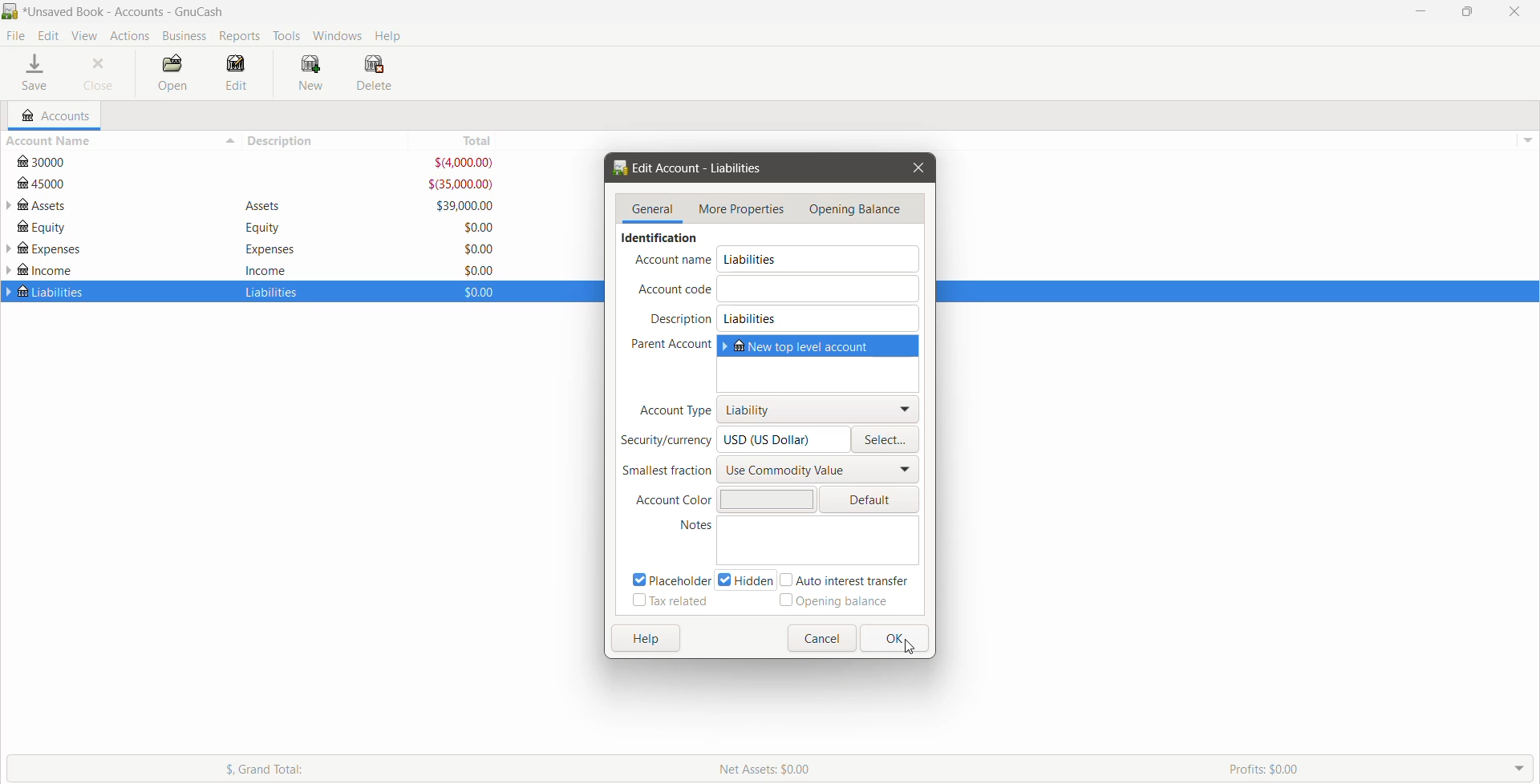 The image size is (1540, 784). I want to click on Edit, so click(237, 74).